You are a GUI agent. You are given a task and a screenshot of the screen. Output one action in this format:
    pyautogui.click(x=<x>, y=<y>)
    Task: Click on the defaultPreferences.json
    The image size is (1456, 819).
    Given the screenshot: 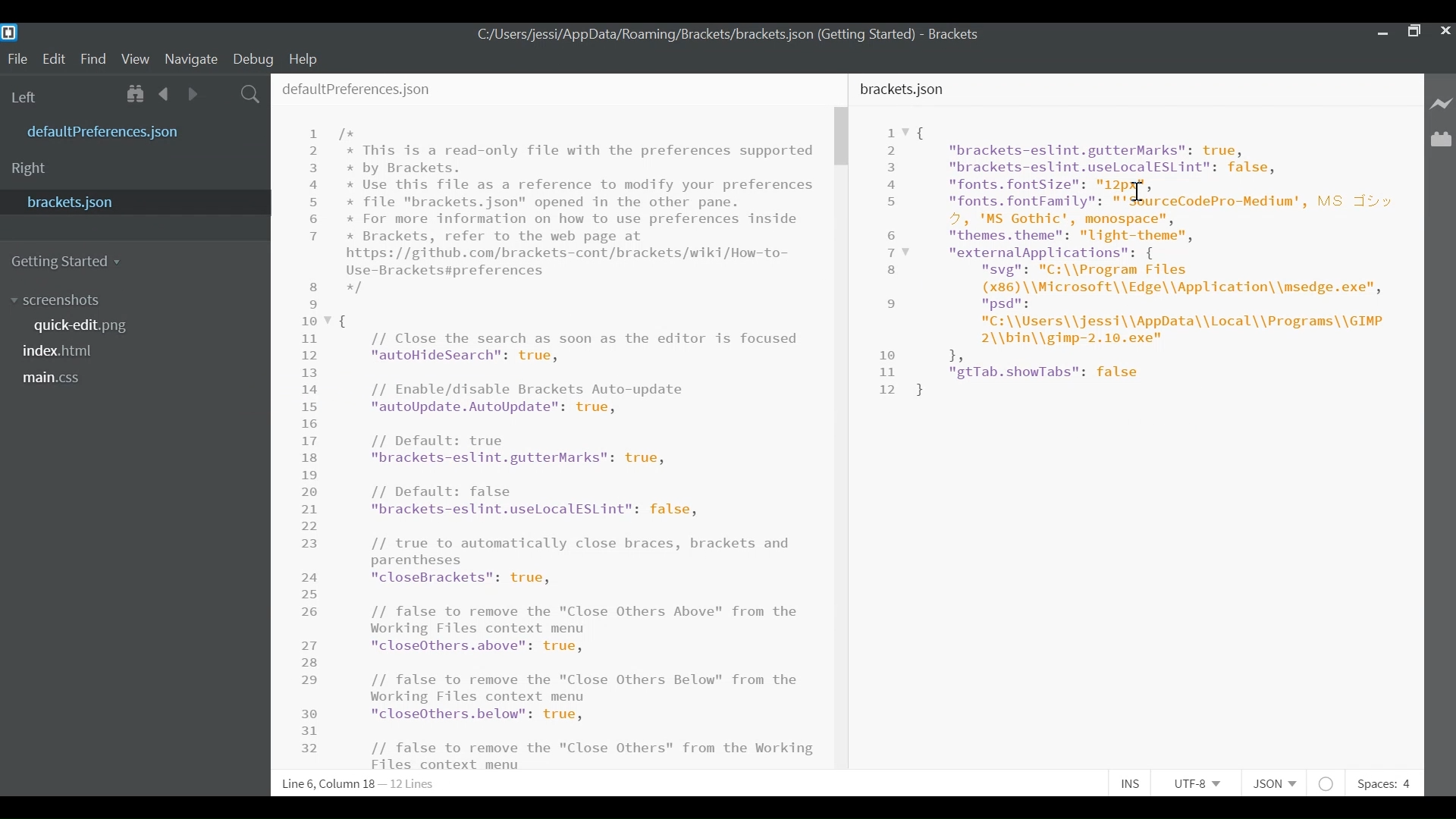 What is the action you would take?
    pyautogui.click(x=136, y=130)
    